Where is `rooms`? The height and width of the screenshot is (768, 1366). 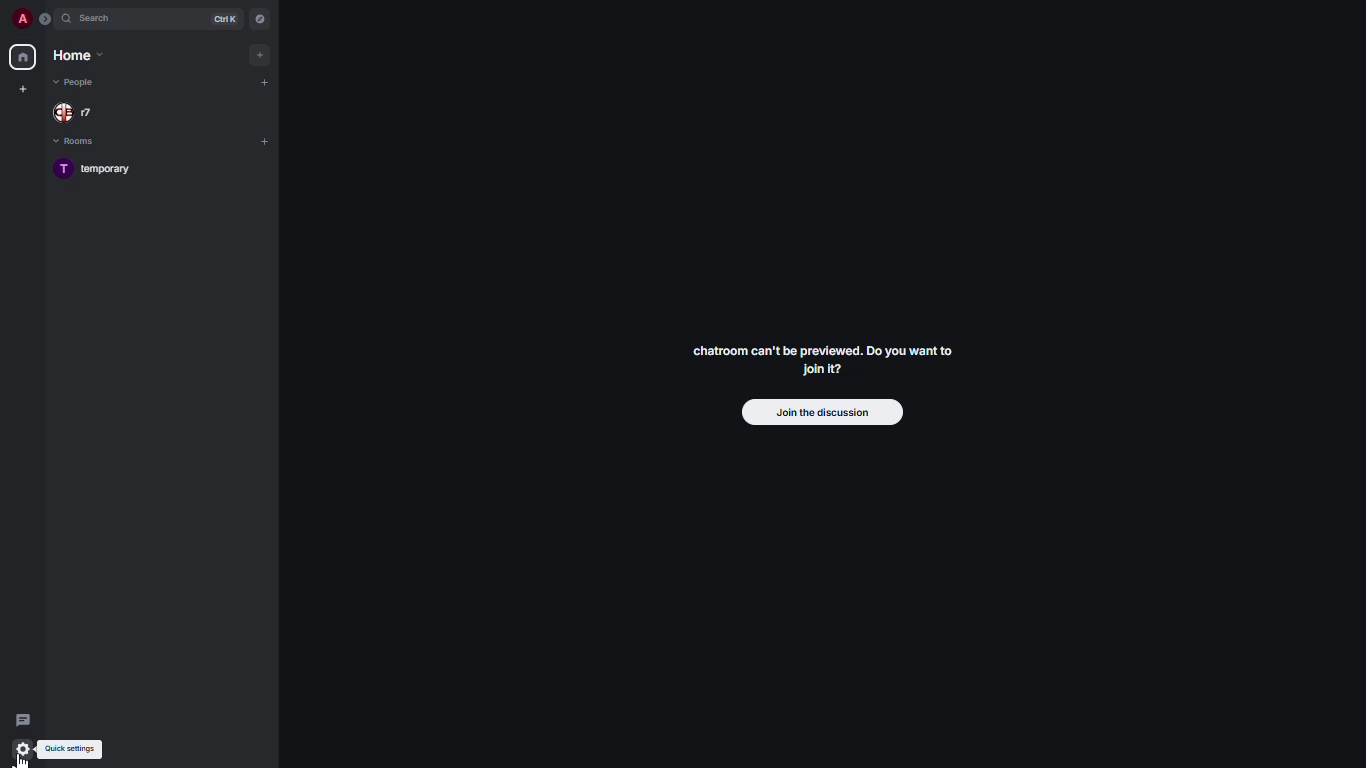 rooms is located at coordinates (81, 143).